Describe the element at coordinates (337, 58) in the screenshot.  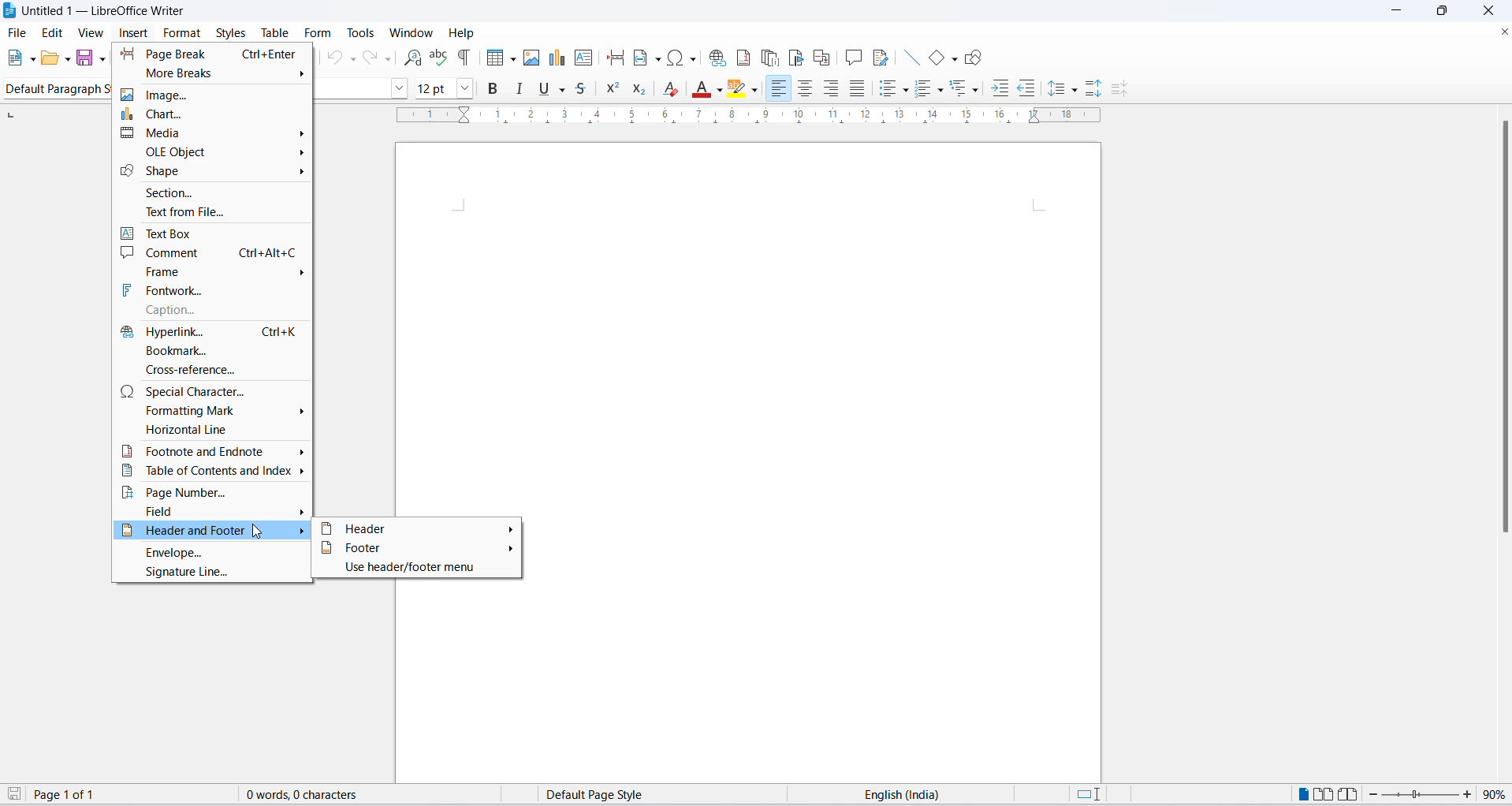
I see `undo` at that location.